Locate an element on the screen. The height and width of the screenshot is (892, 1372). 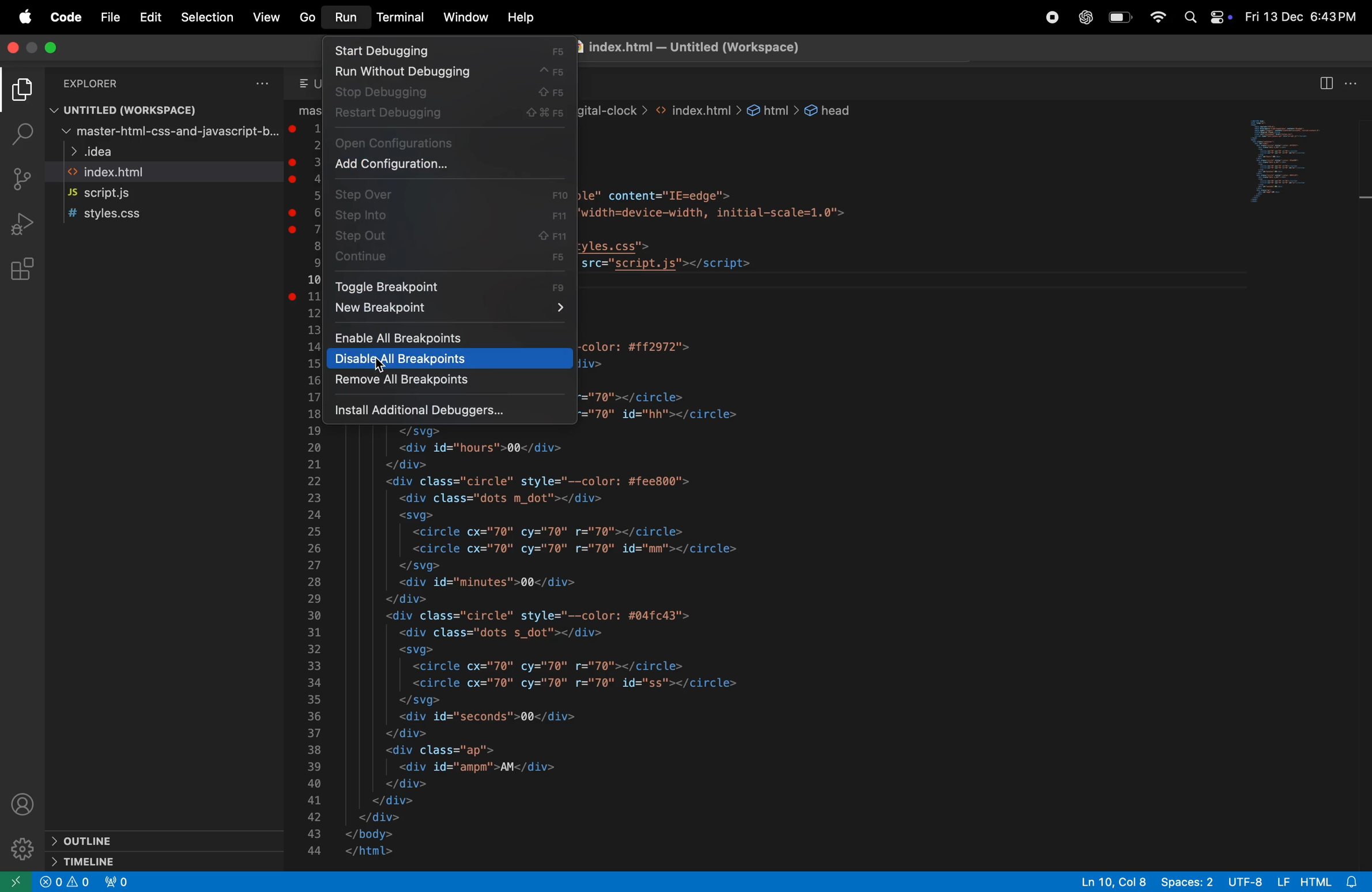
split editor is located at coordinates (1327, 84).